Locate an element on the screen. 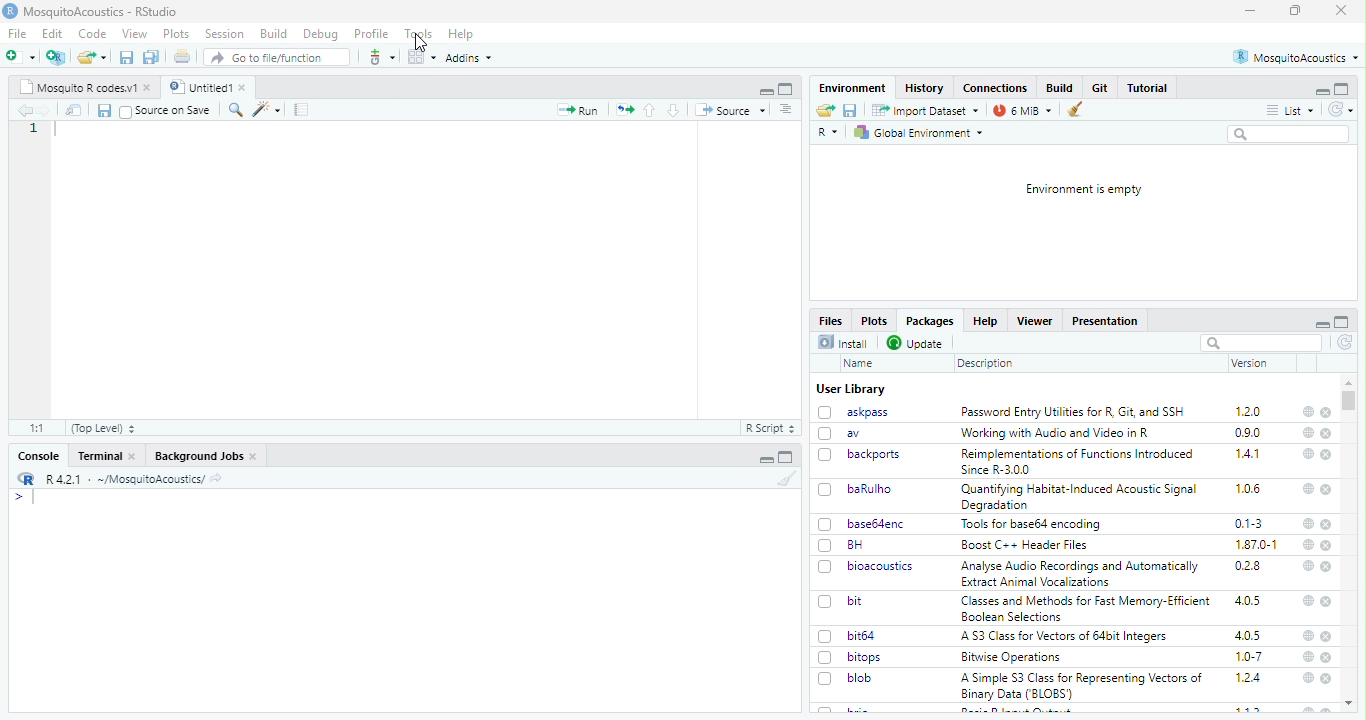  save is located at coordinates (127, 58).